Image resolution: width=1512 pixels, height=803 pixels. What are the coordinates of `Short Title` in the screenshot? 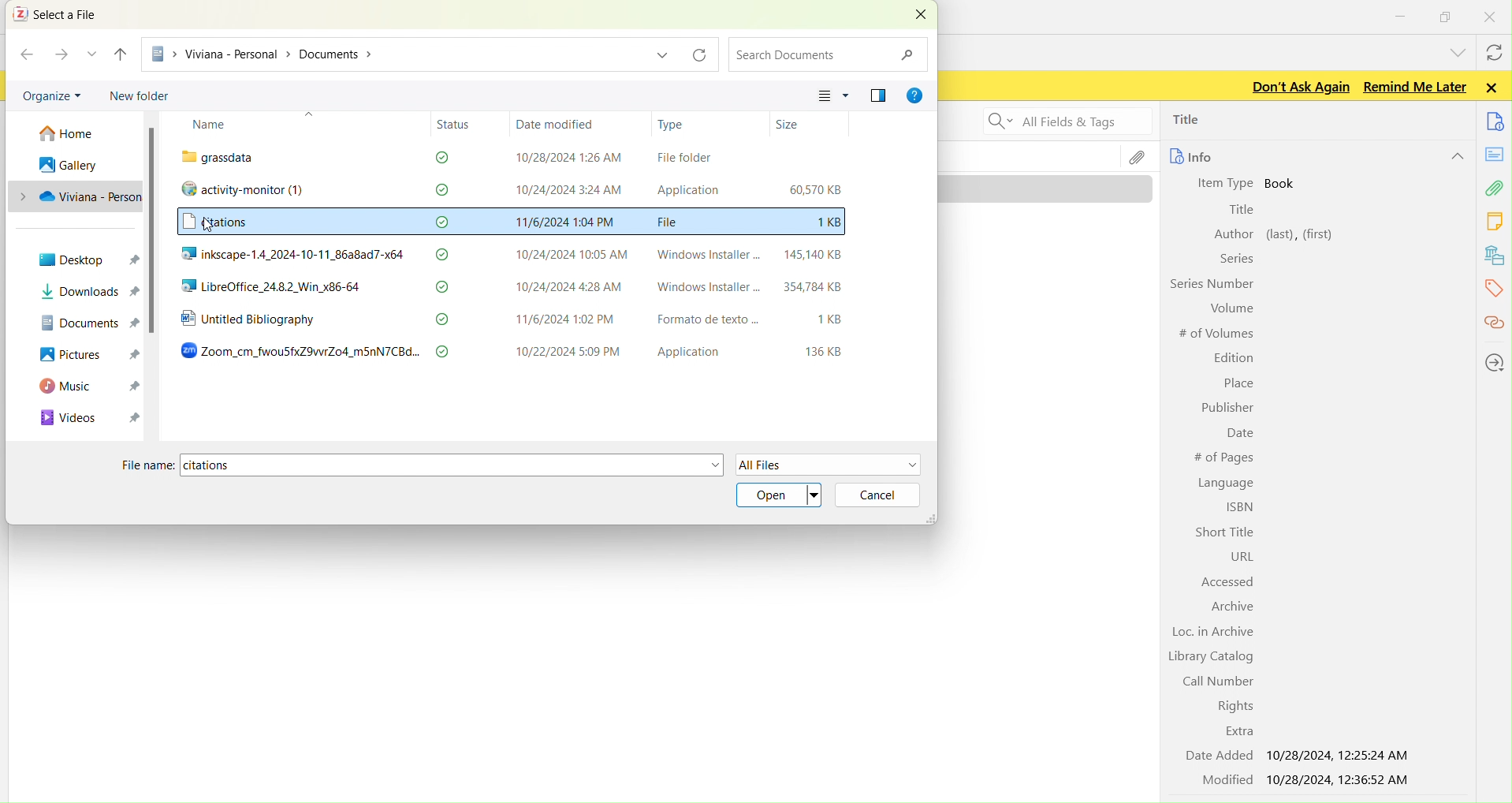 It's located at (1219, 530).